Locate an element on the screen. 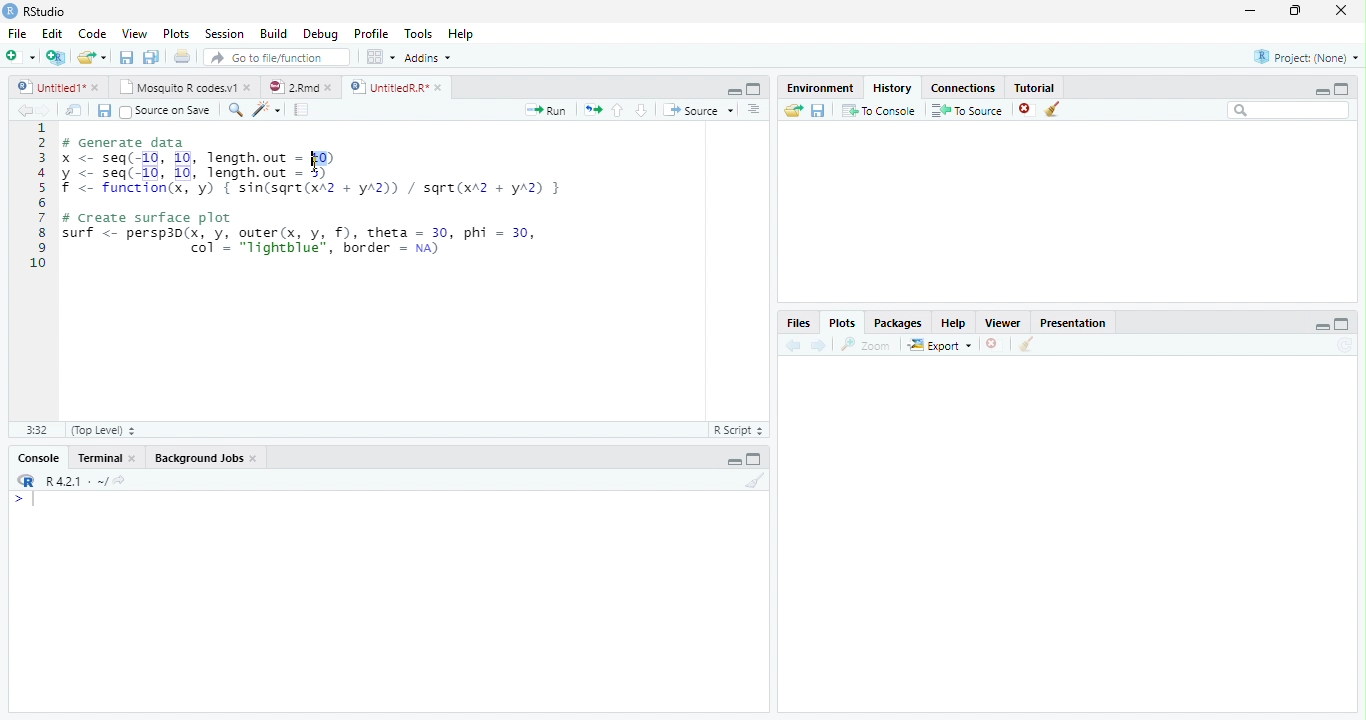 This screenshot has width=1366, height=720. Clear all history entries is located at coordinates (1052, 109).